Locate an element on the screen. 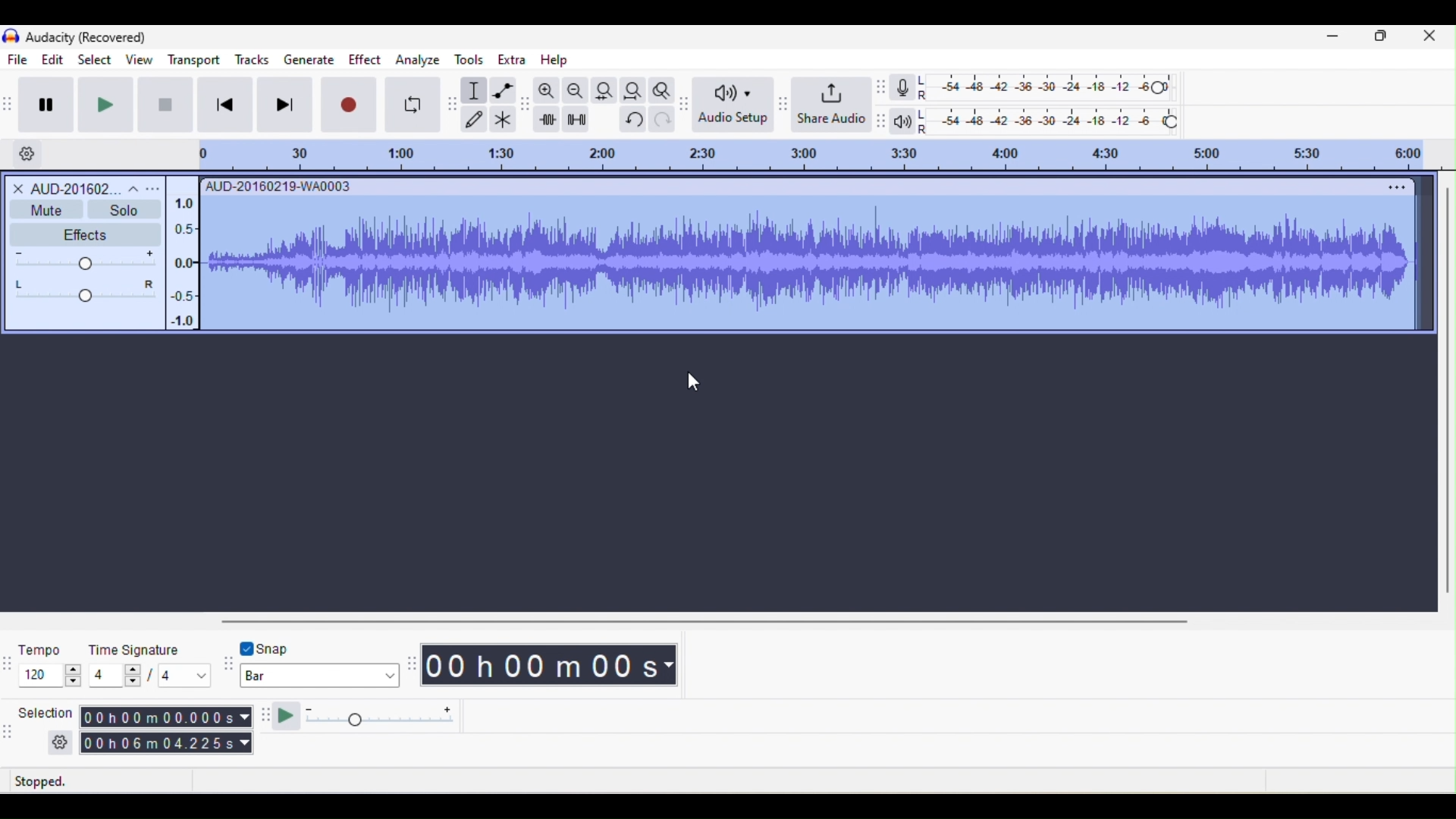 The height and width of the screenshot is (819, 1456). effect is located at coordinates (363, 63).